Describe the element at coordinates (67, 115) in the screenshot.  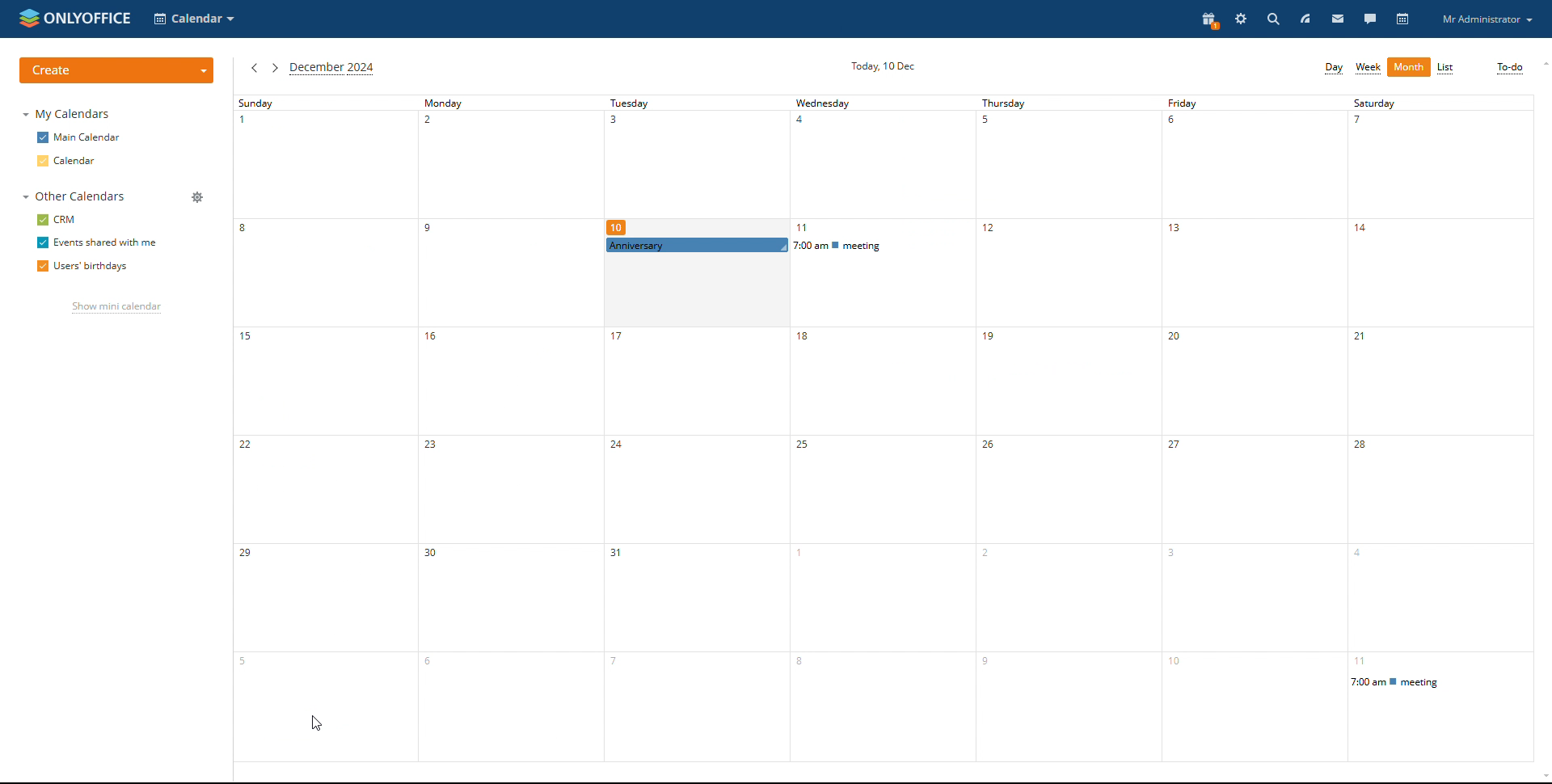
I see `my calendars` at that location.